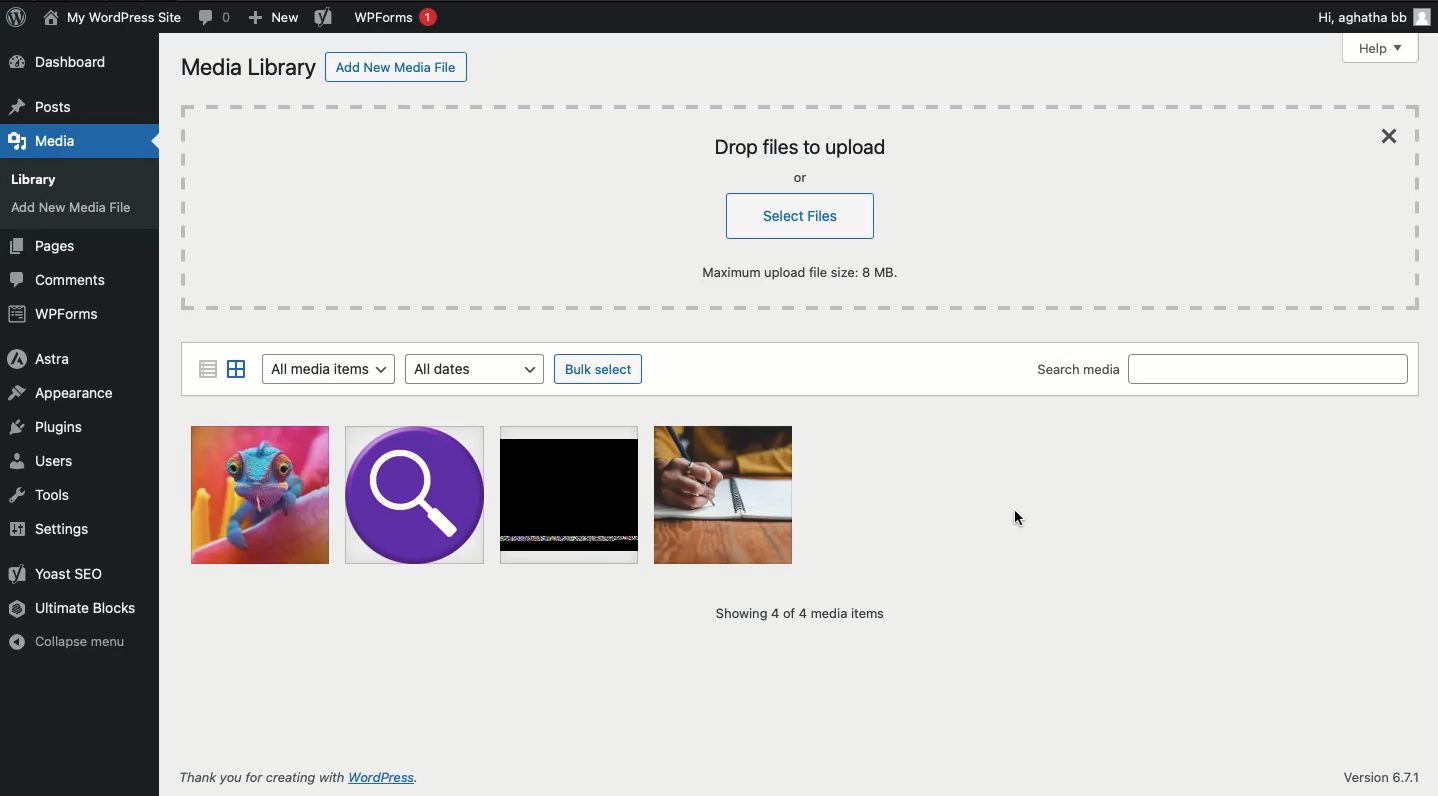 The height and width of the screenshot is (796, 1438). I want to click on Grid, so click(238, 369).